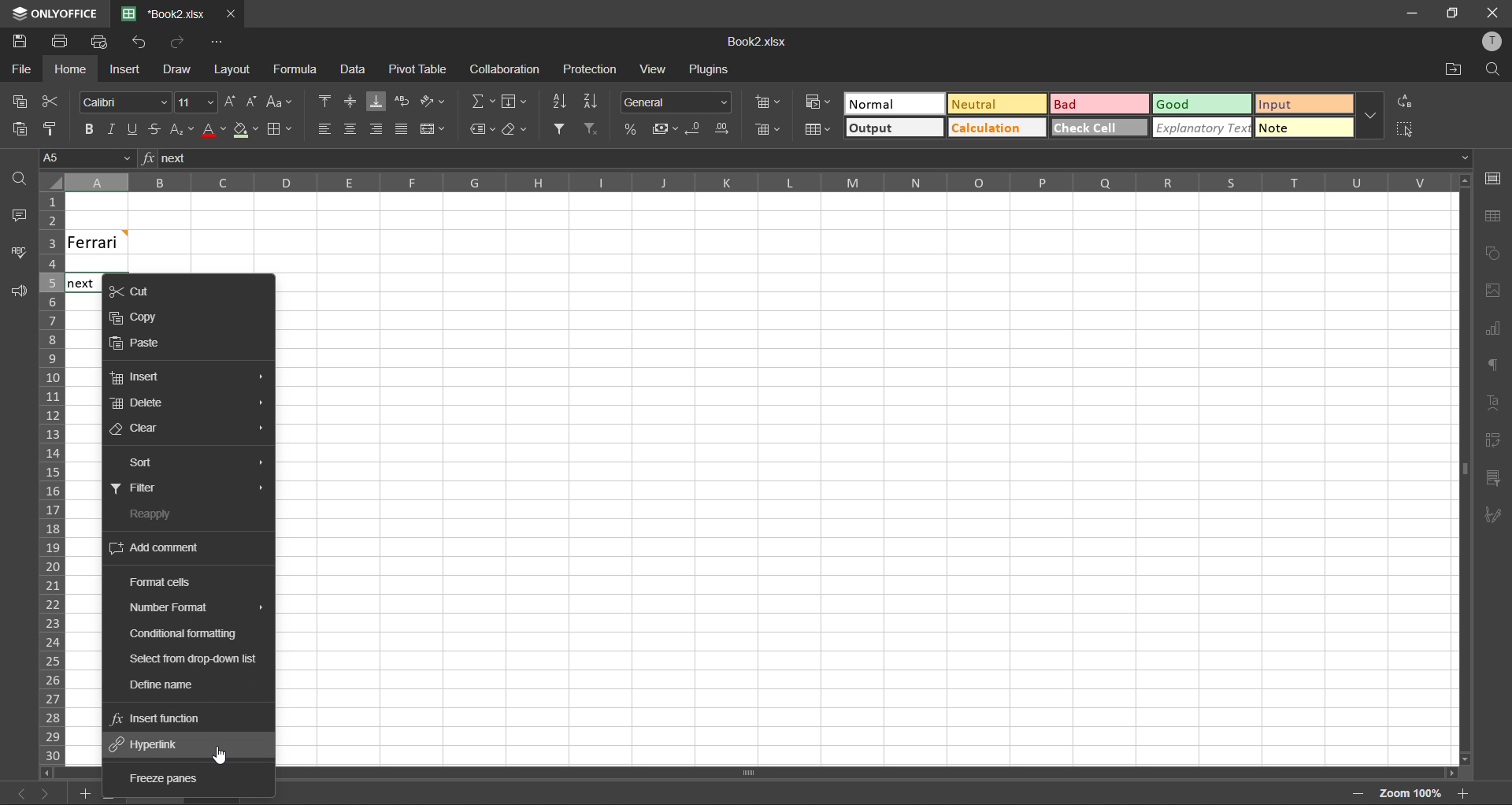  What do you see at coordinates (994, 128) in the screenshot?
I see `calculation` at bounding box center [994, 128].